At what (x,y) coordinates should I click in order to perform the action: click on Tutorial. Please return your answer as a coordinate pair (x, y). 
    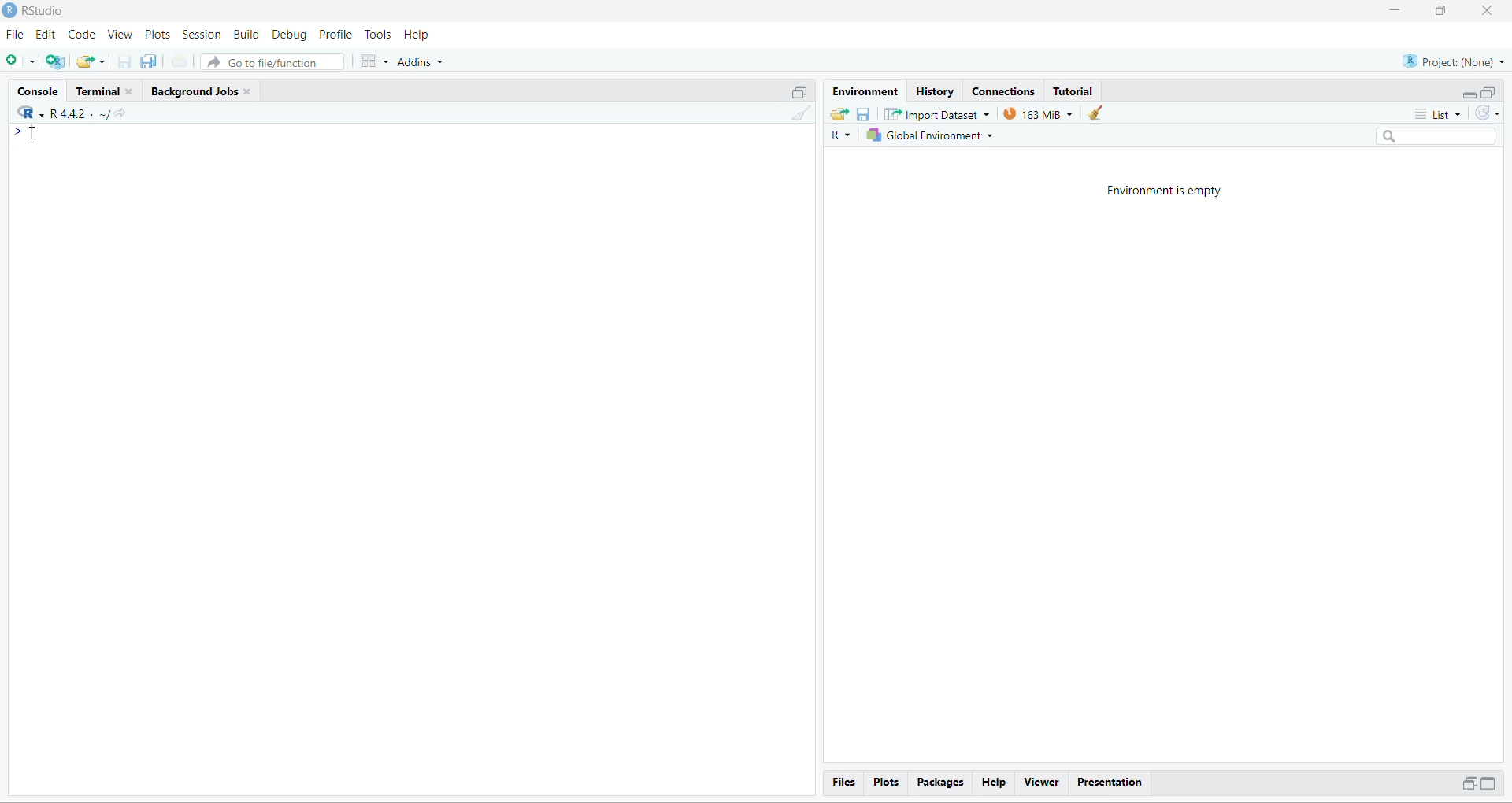
    Looking at the image, I should click on (1073, 91).